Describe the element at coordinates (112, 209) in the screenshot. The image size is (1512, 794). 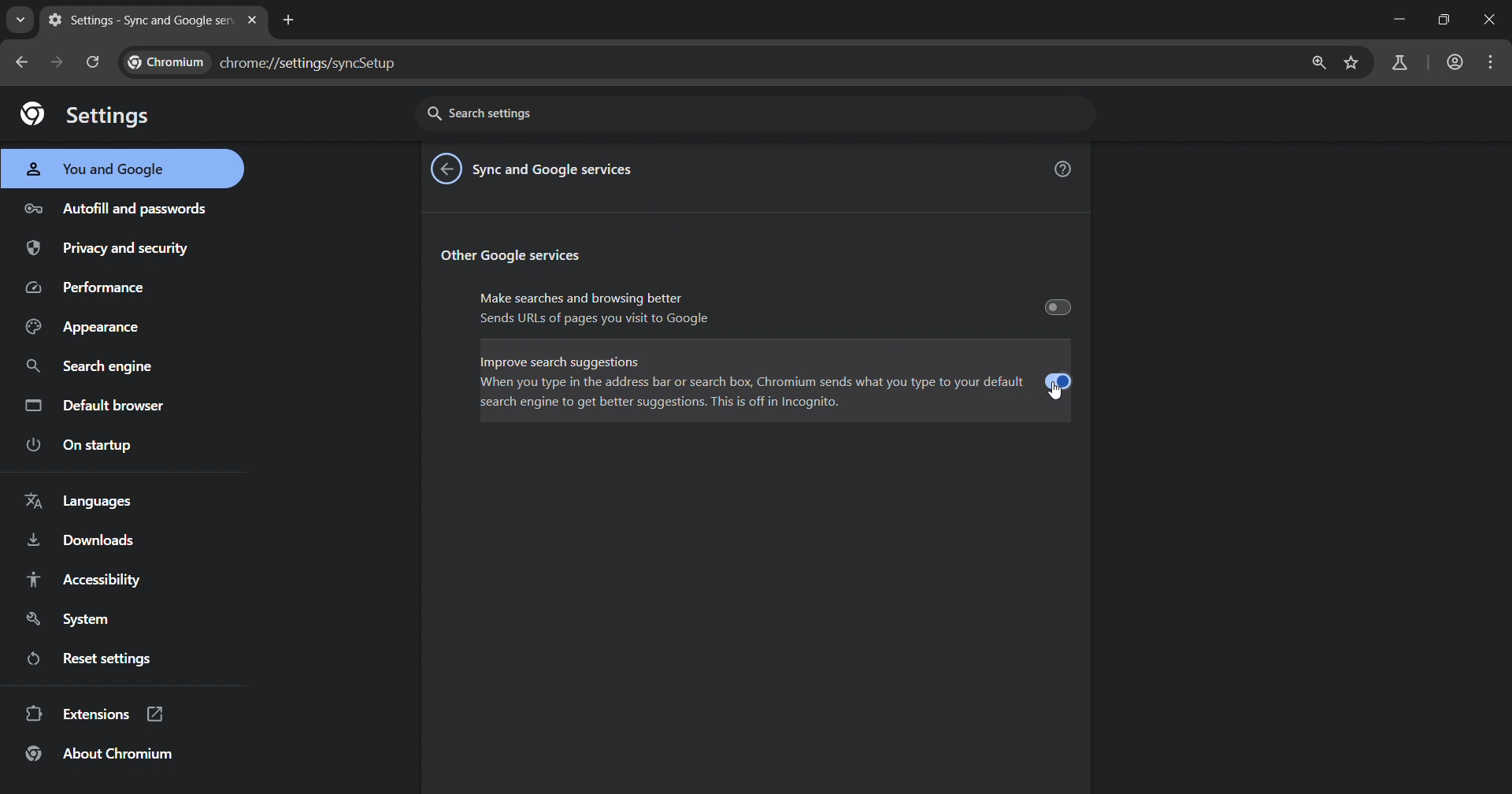
I see `autofill and passwords` at that location.